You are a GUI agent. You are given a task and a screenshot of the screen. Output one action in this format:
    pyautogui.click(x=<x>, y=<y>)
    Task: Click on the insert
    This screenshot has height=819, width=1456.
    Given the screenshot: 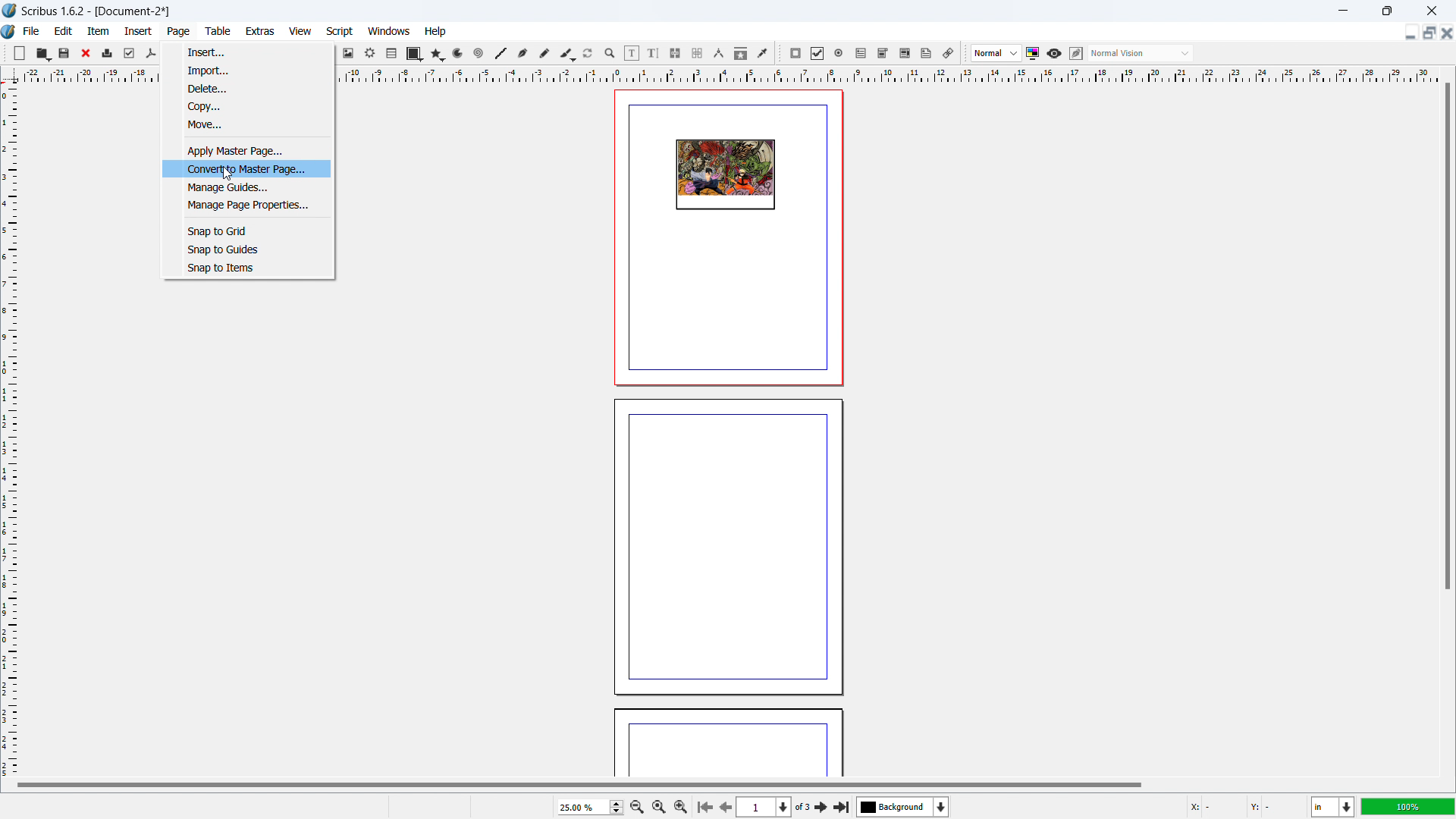 What is the action you would take?
    pyautogui.click(x=248, y=51)
    